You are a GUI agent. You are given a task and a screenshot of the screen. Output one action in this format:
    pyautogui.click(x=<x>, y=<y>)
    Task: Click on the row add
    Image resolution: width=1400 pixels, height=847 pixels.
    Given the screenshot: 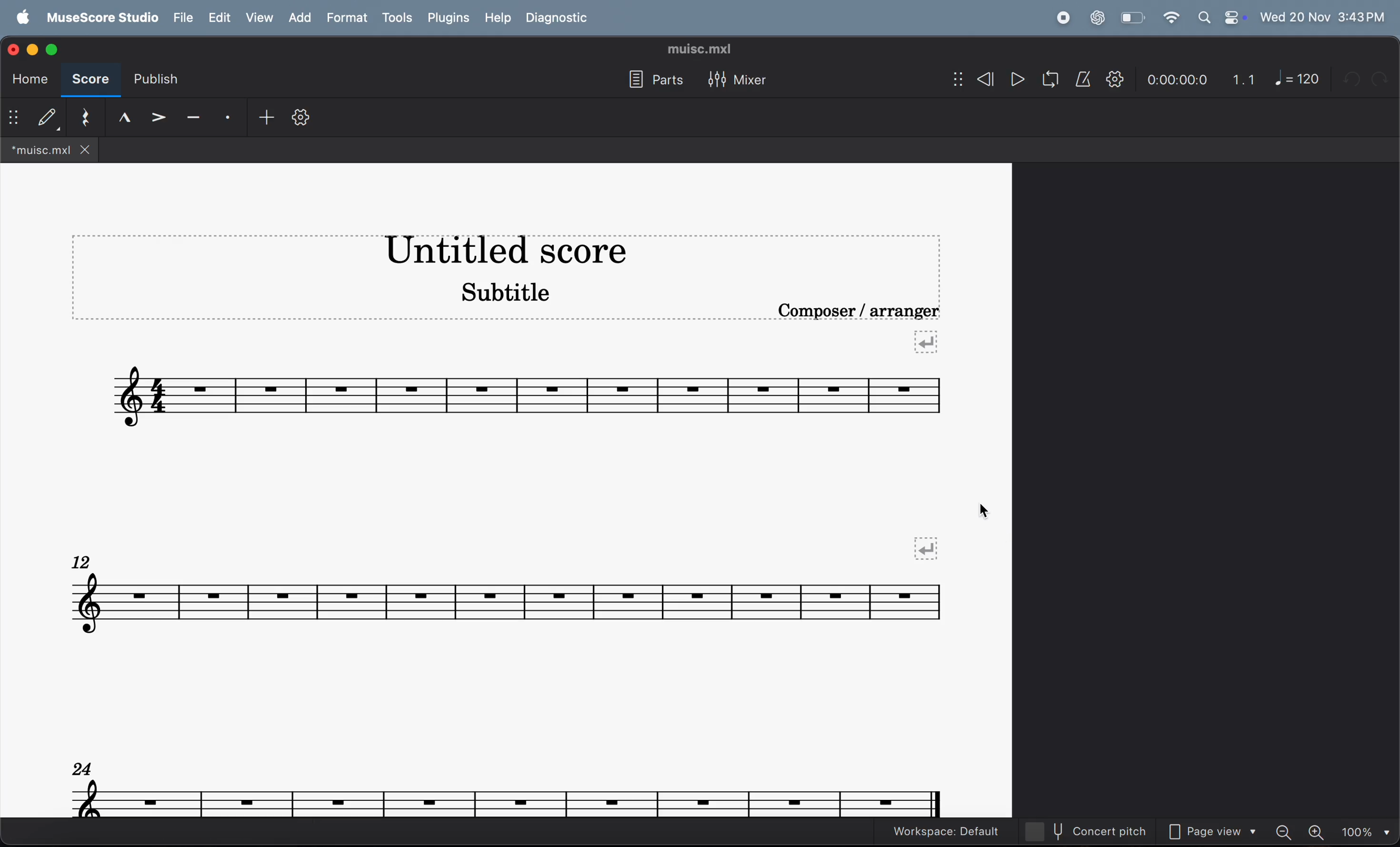 What is the action you would take?
    pyautogui.click(x=928, y=342)
    